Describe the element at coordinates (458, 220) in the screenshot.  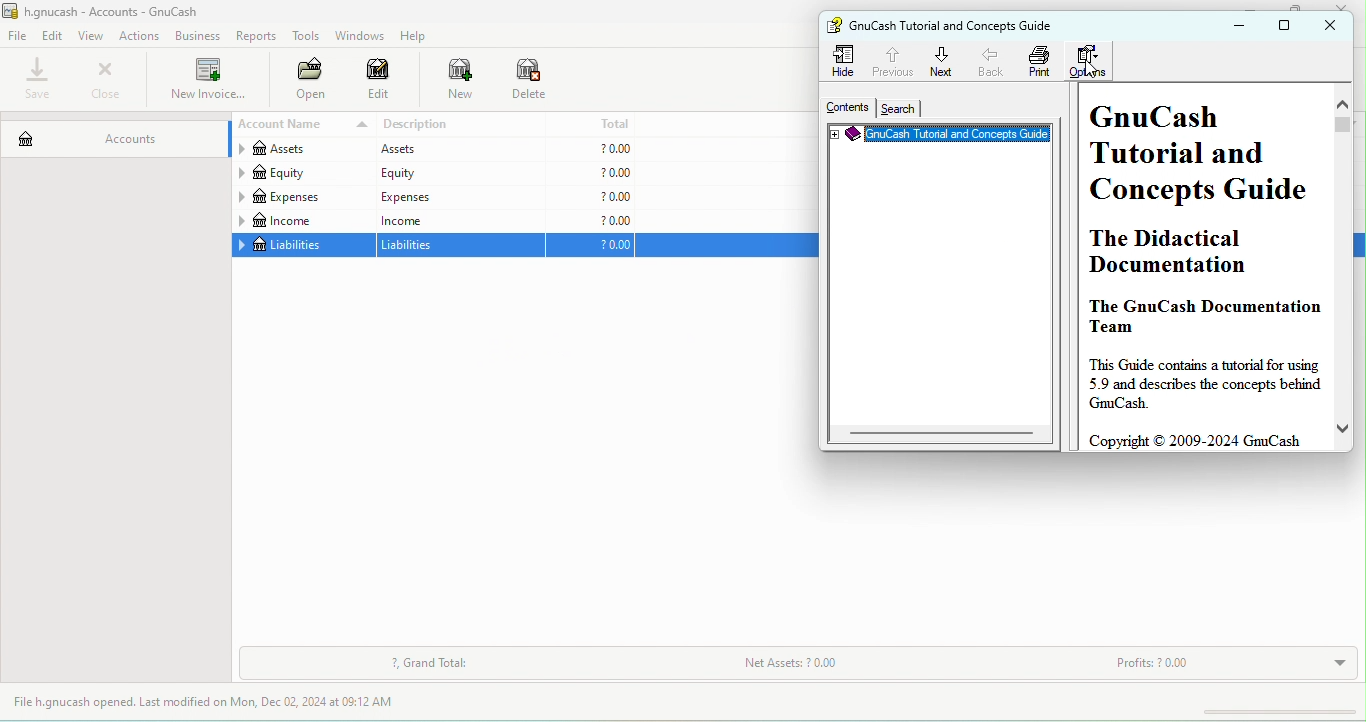
I see `income` at that location.